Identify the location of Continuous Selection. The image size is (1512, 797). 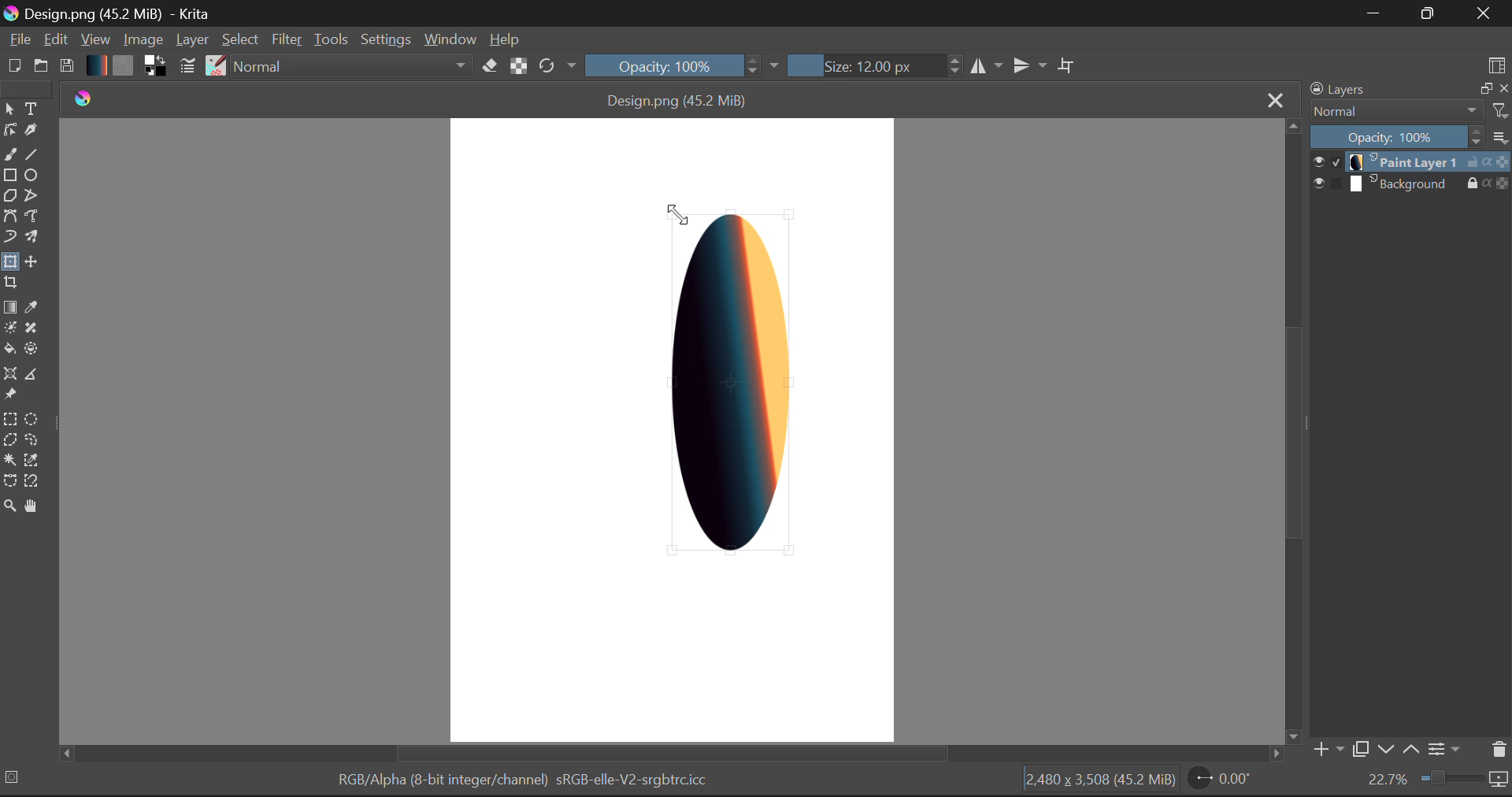
(9, 462).